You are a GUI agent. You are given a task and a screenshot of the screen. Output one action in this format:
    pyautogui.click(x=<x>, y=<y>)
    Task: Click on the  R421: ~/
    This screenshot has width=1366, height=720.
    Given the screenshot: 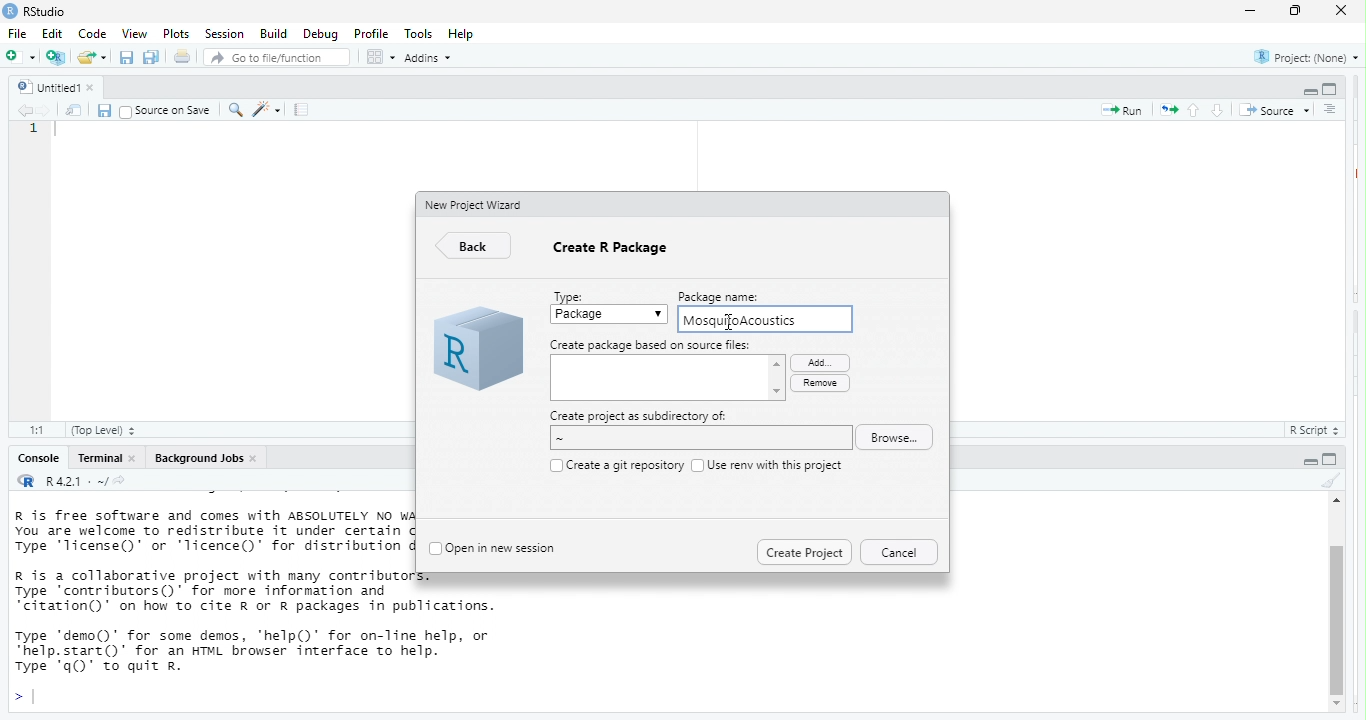 What is the action you would take?
    pyautogui.click(x=96, y=481)
    